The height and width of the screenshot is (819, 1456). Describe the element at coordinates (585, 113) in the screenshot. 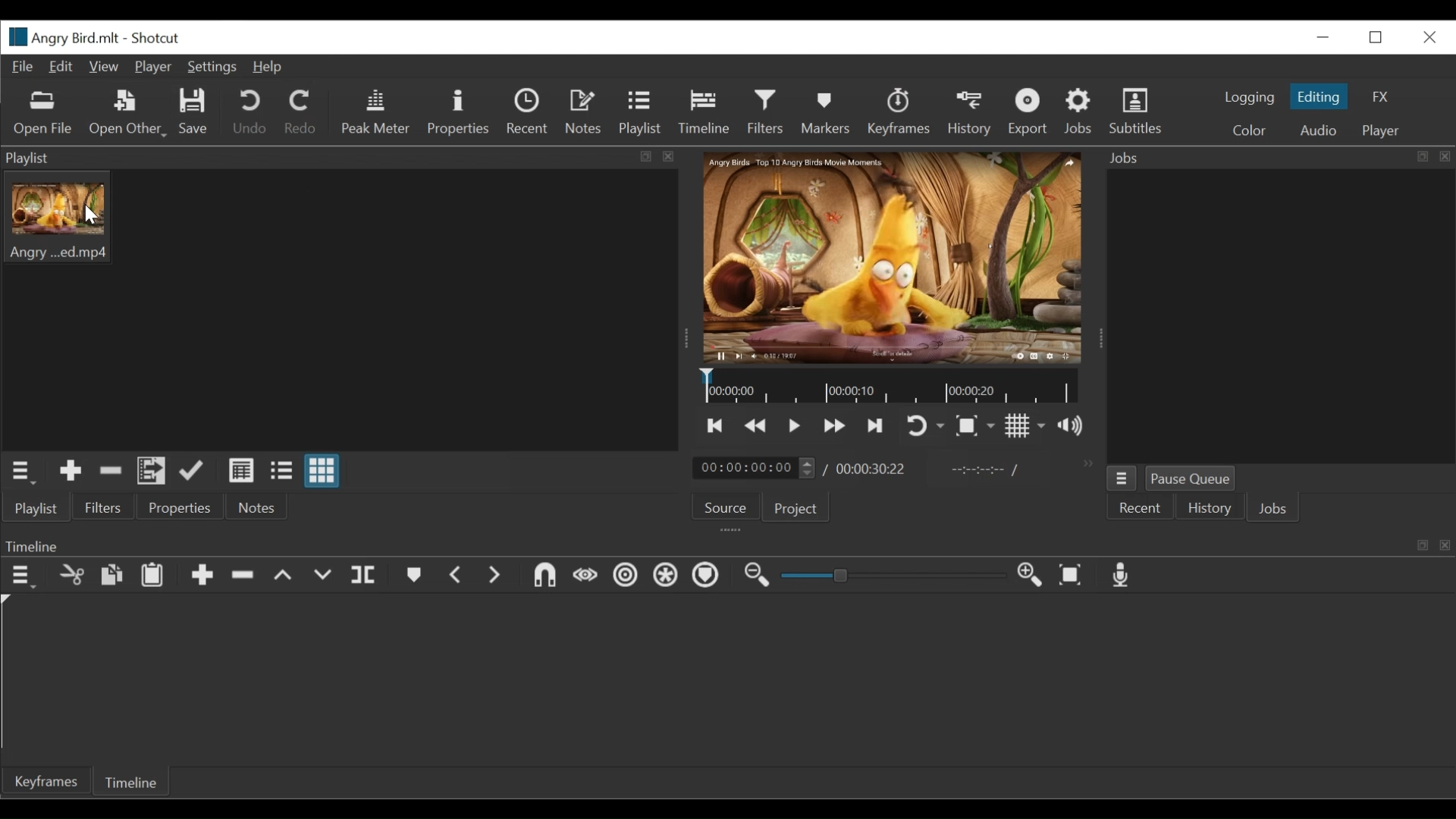

I see `Notes` at that location.